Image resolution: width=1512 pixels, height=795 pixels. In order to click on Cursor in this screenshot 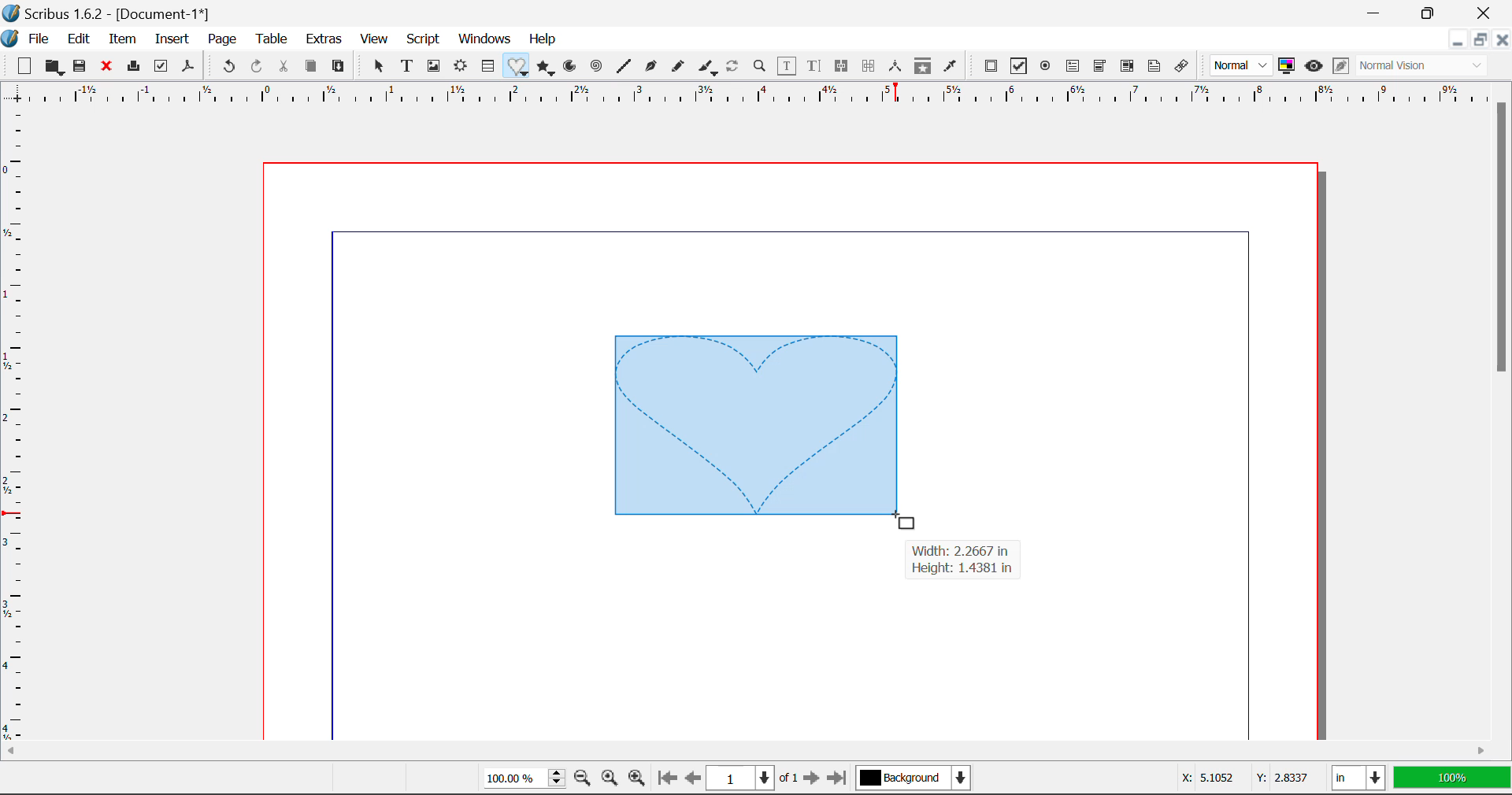, I will do `click(906, 521)`.